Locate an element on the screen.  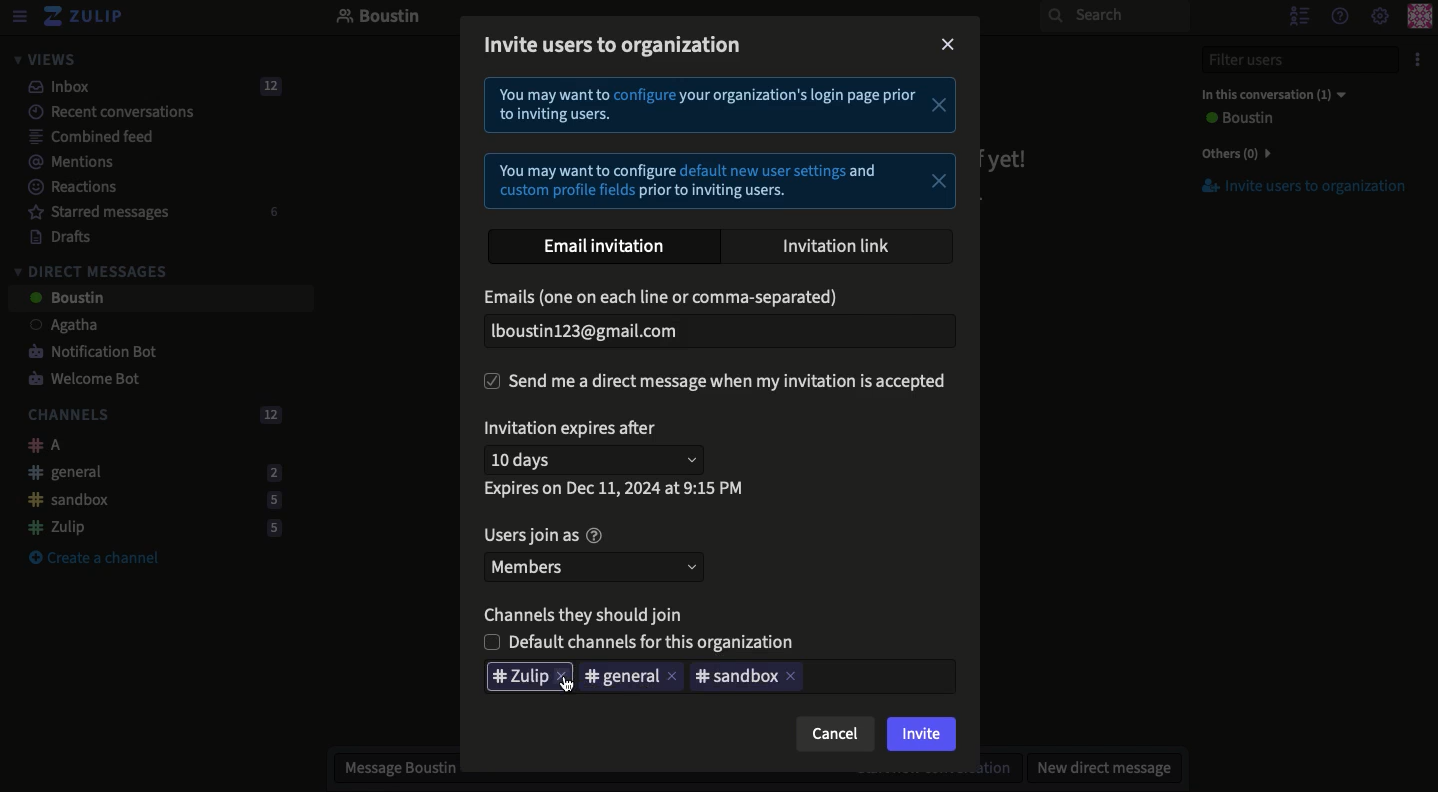
Zulip is located at coordinates (148, 527).